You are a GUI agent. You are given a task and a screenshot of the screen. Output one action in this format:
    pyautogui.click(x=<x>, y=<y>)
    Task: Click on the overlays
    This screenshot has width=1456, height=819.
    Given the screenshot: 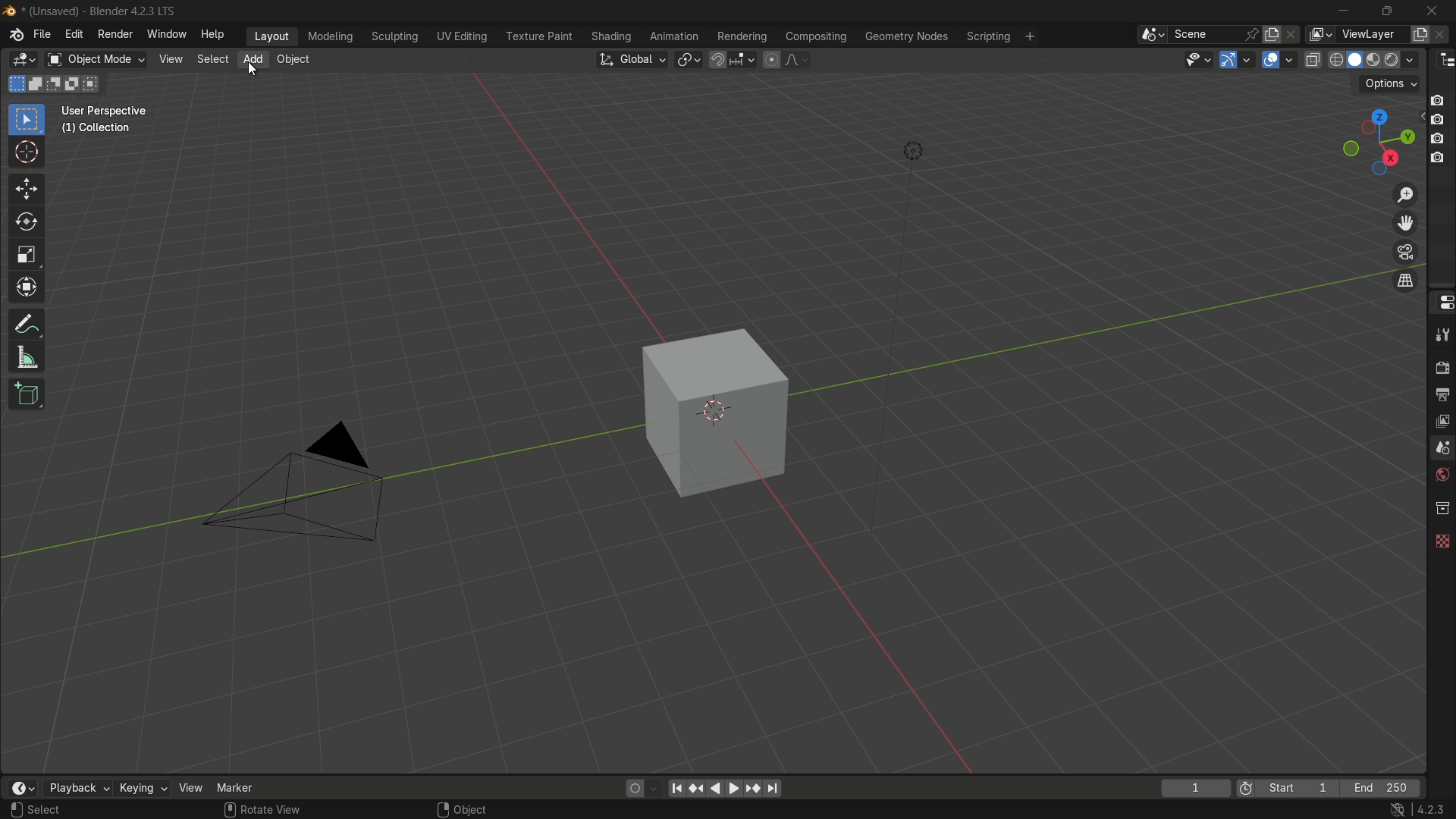 What is the action you would take?
    pyautogui.click(x=1292, y=59)
    